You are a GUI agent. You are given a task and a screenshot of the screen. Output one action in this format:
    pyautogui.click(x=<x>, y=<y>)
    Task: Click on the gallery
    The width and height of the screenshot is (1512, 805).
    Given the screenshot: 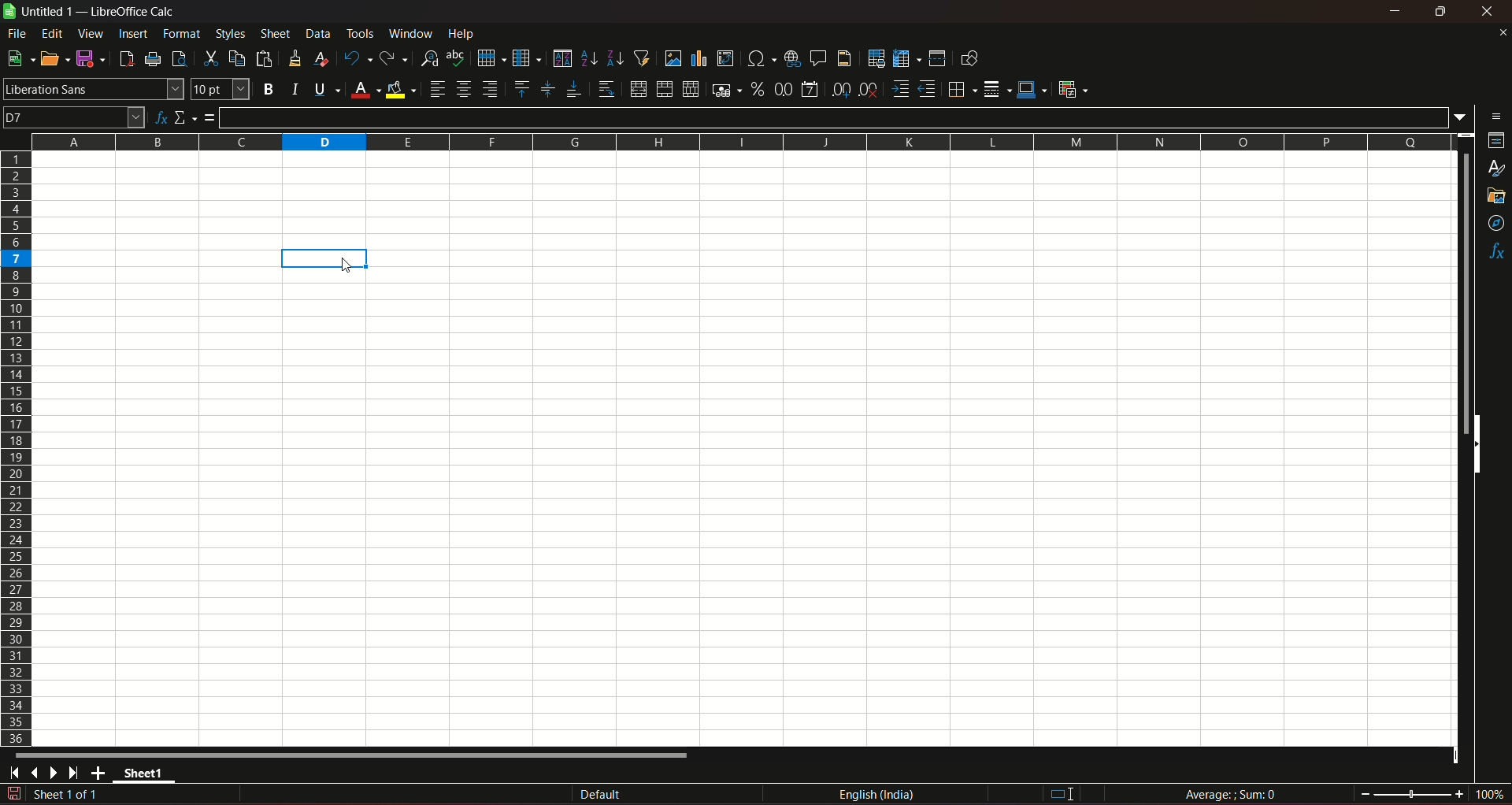 What is the action you would take?
    pyautogui.click(x=1495, y=196)
    